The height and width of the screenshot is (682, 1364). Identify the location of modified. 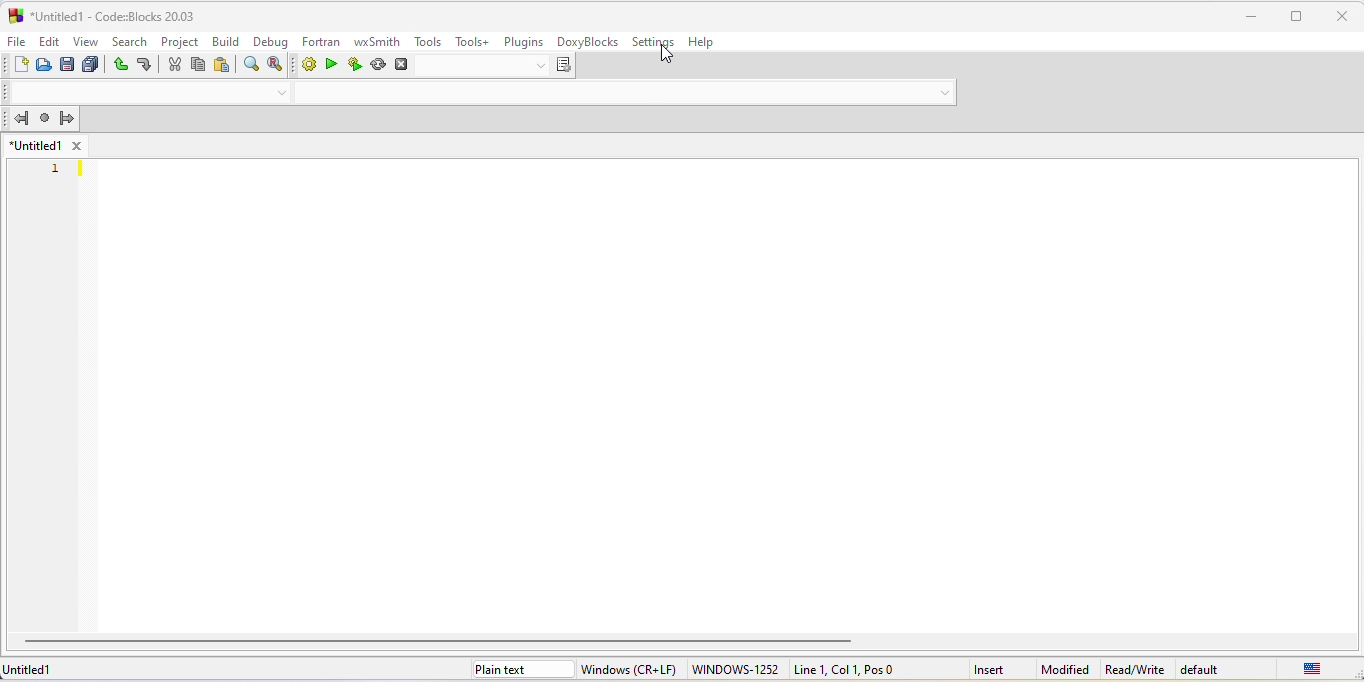
(1064, 670).